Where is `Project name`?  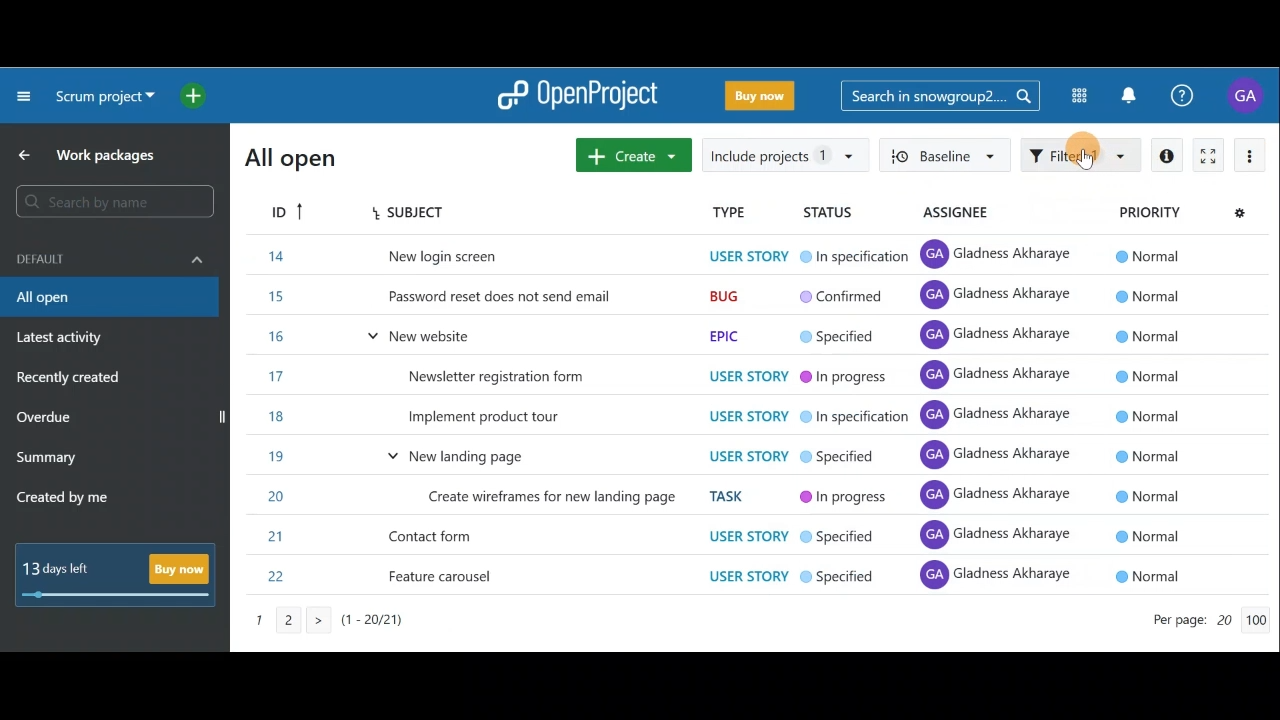 Project name is located at coordinates (102, 101).